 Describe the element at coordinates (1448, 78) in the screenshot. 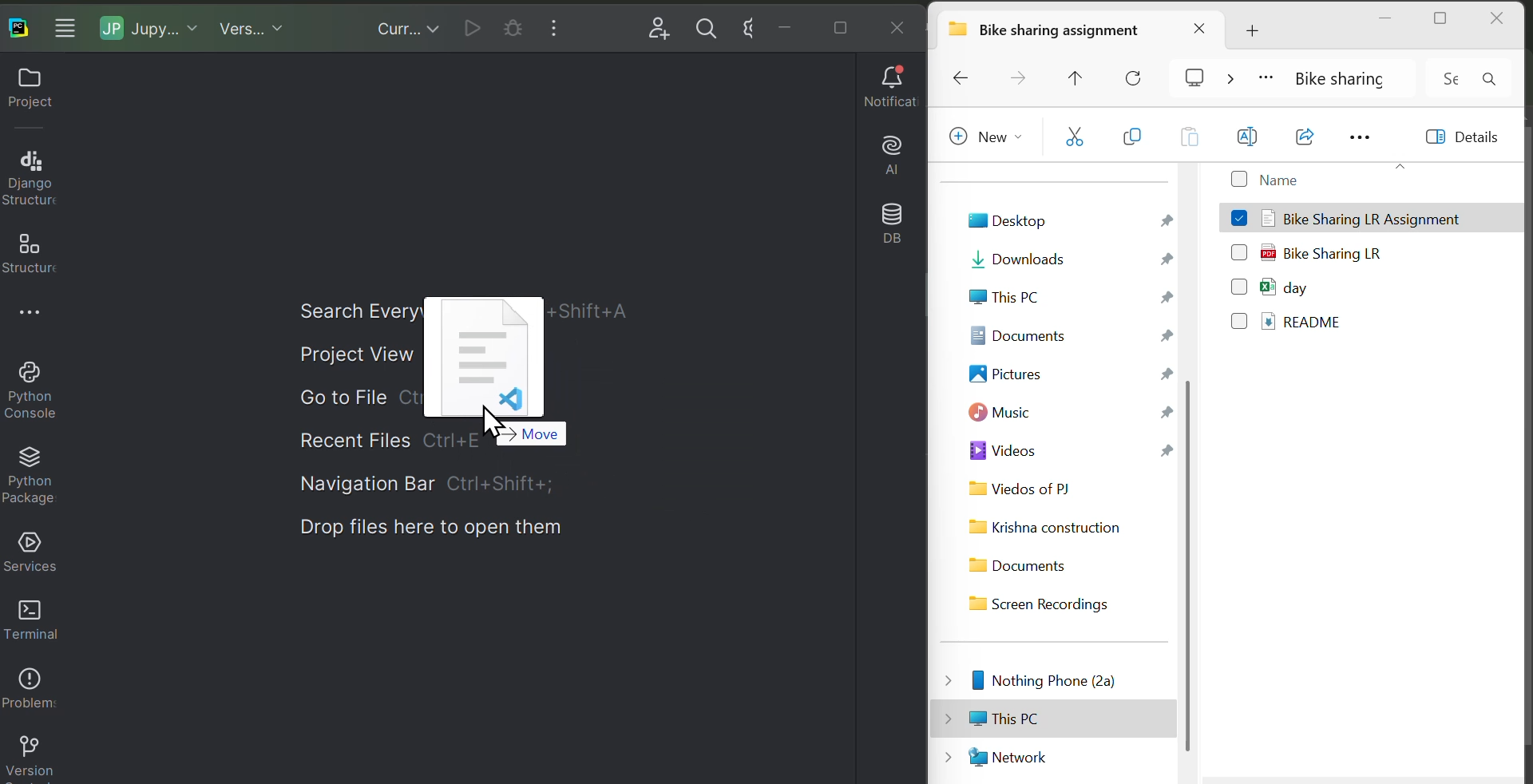

I see `` at that location.